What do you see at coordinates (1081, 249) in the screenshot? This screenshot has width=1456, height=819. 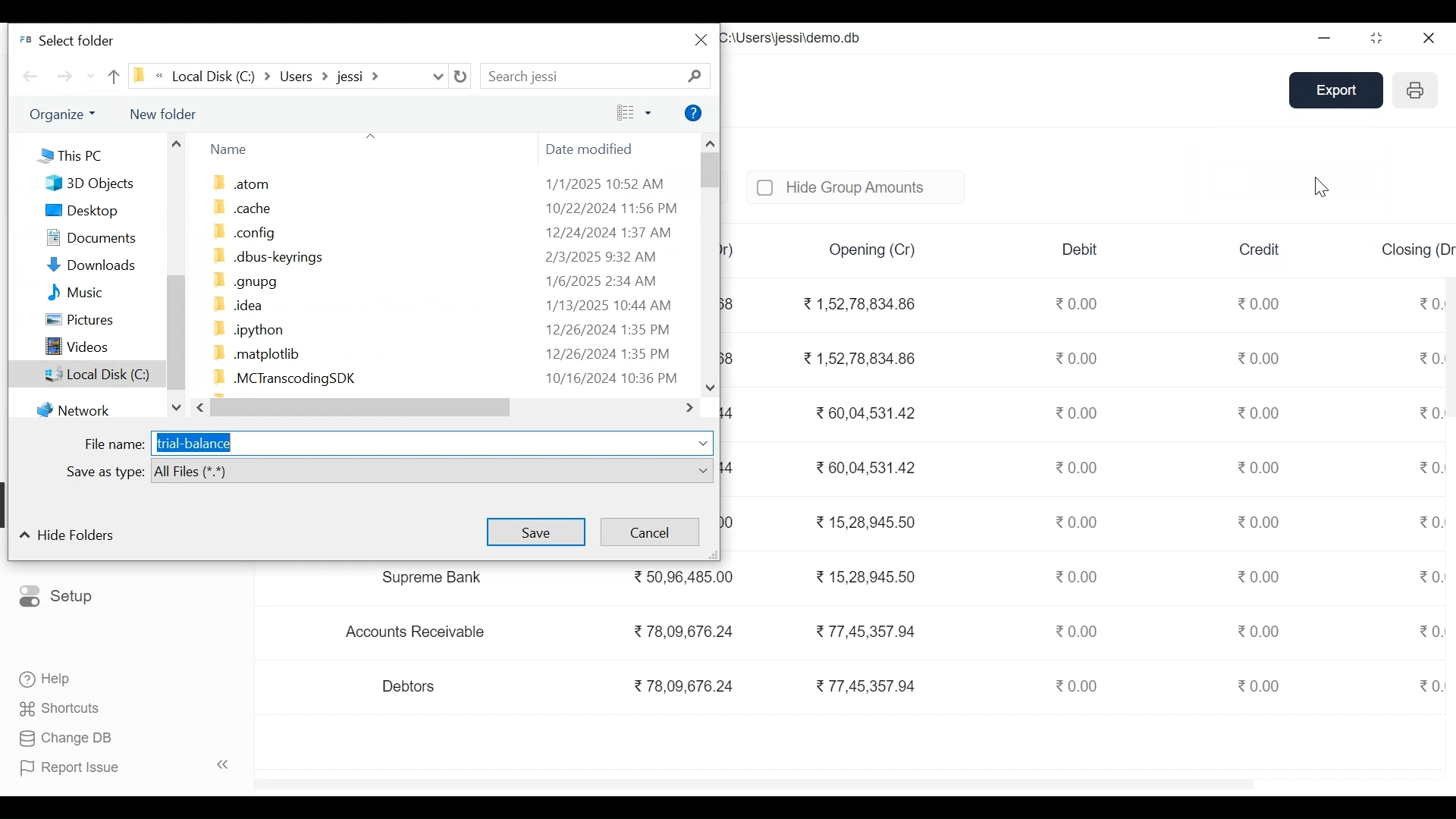 I see `Debit` at bounding box center [1081, 249].